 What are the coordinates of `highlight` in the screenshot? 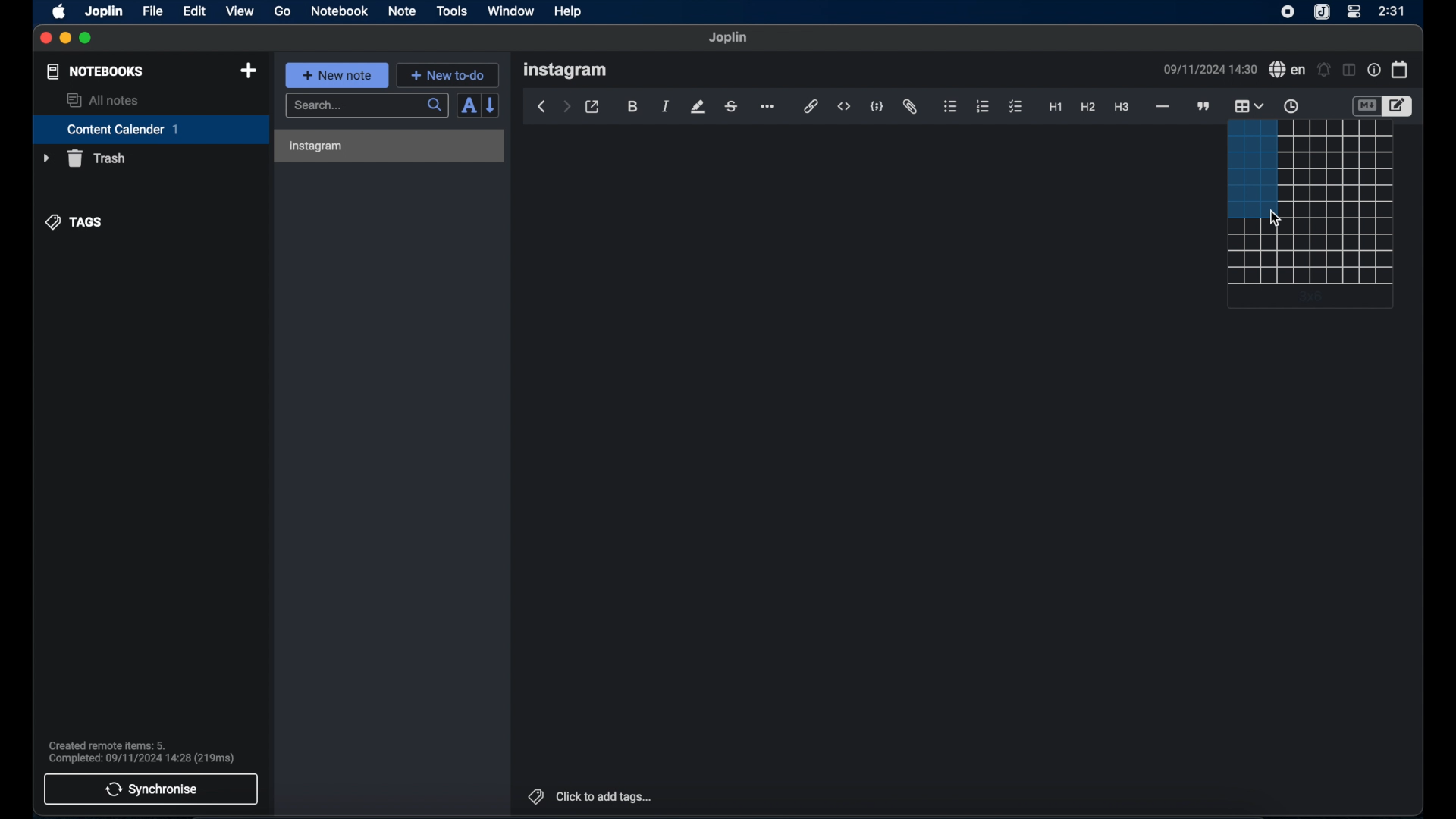 It's located at (698, 107).